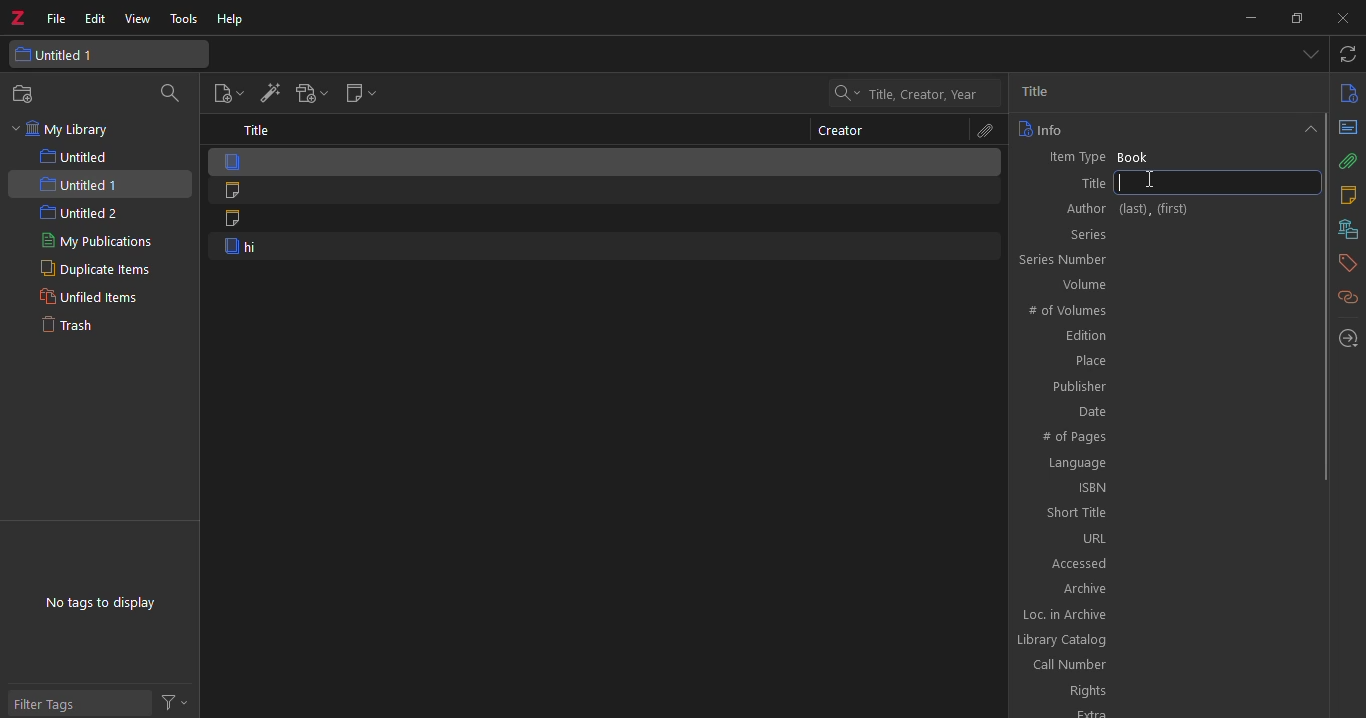 Image resolution: width=1366 pixels, height=718 pixels. Describe the element at coordinates (1162, 614) in the screenshot. I see `loc. in archive` at that location.